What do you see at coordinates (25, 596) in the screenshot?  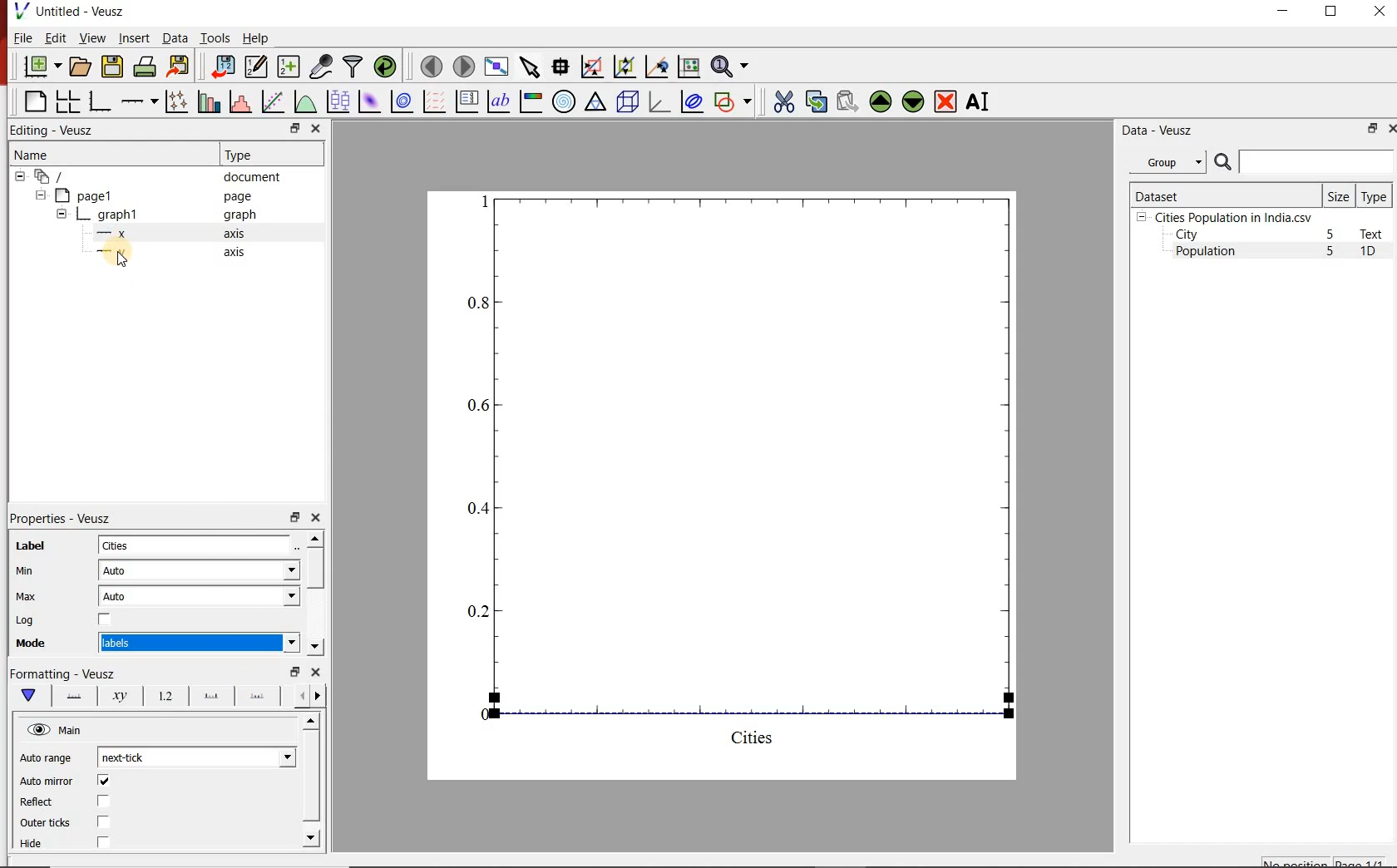 I see `Max` at bounding box center [25, 596].